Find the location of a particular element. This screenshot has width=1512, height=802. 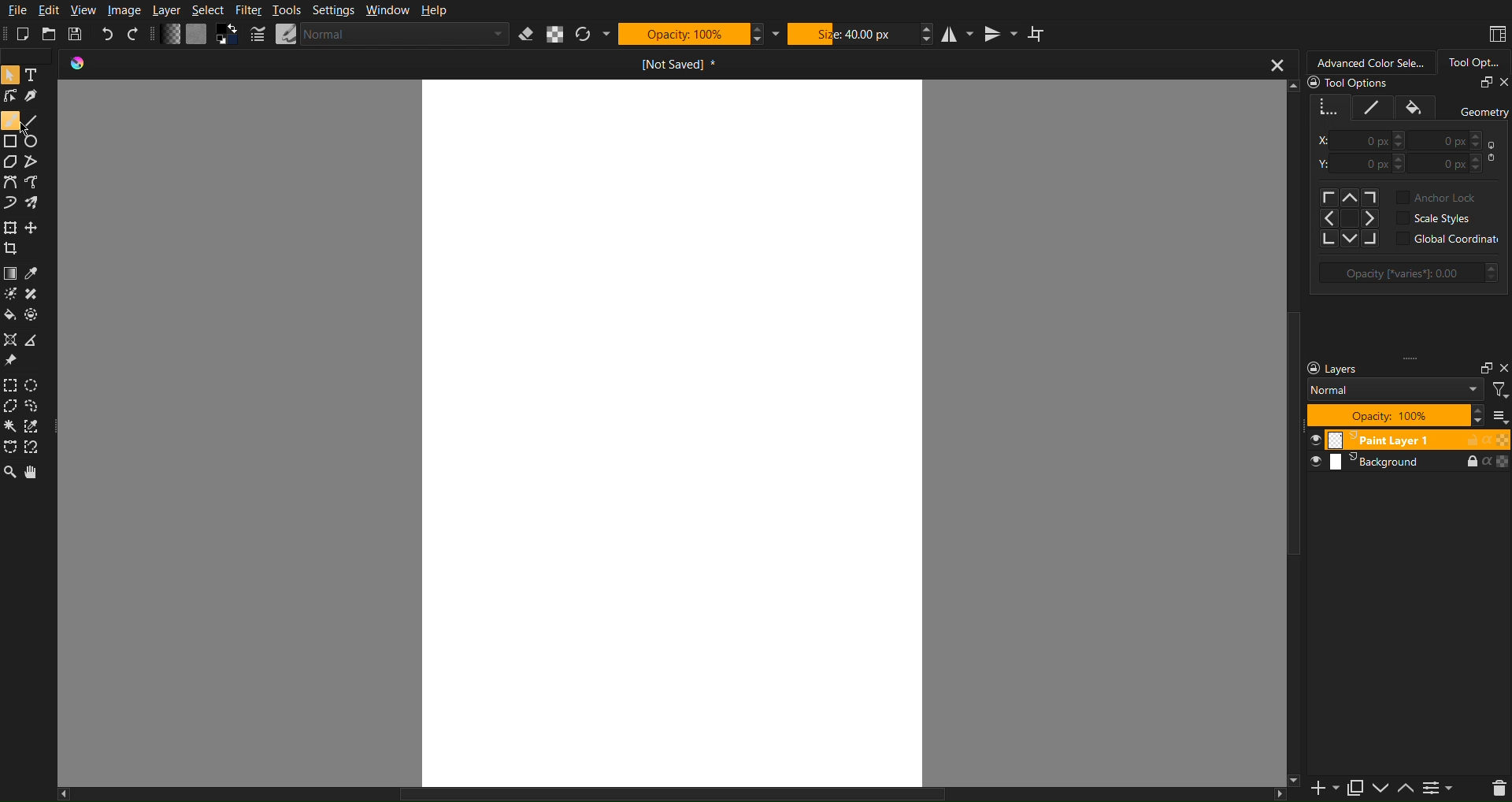

Color Fill is located at coordinates (11, 314).